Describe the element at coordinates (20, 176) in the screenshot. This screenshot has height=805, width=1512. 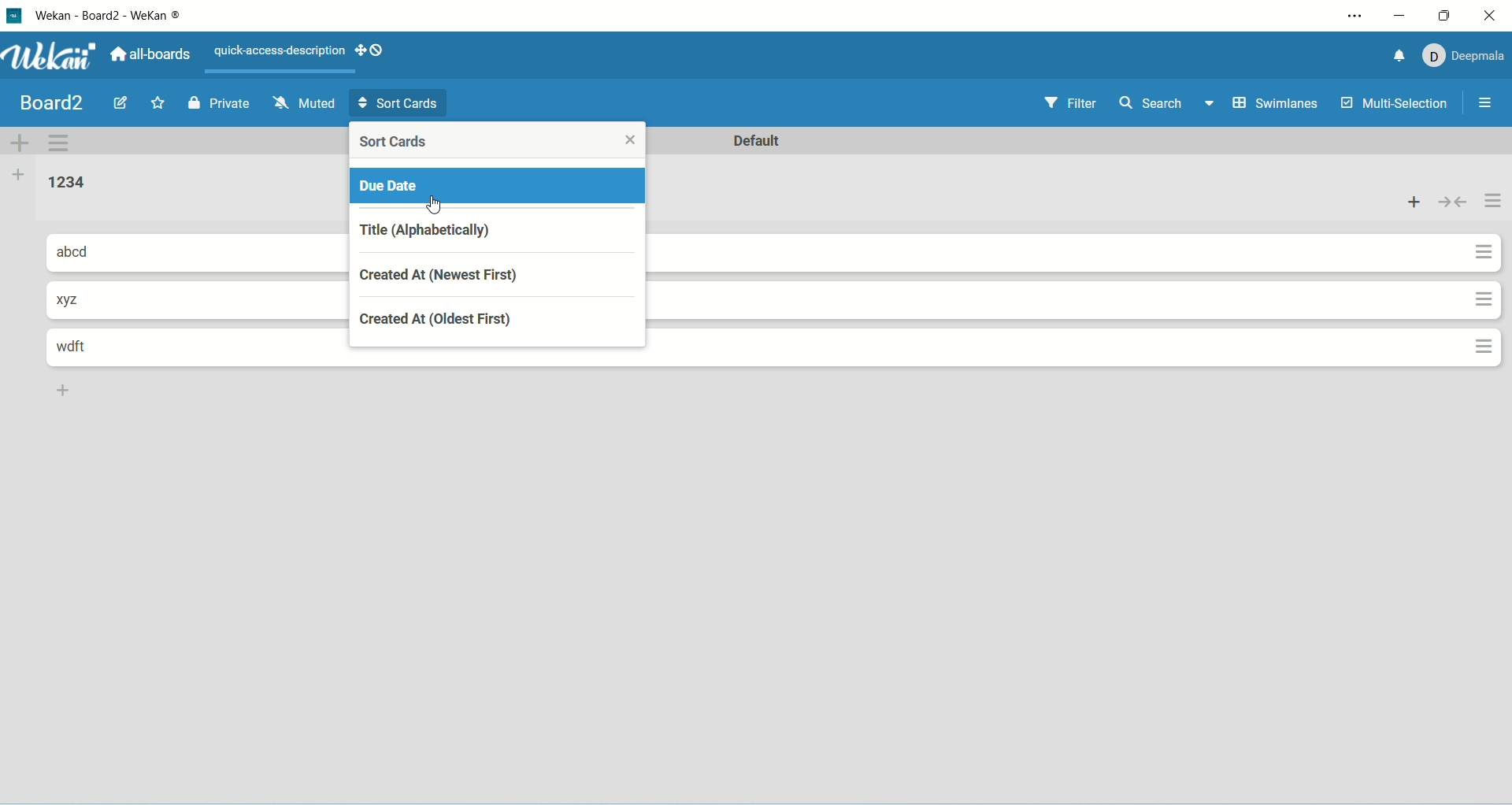
I see `add list` at that location.